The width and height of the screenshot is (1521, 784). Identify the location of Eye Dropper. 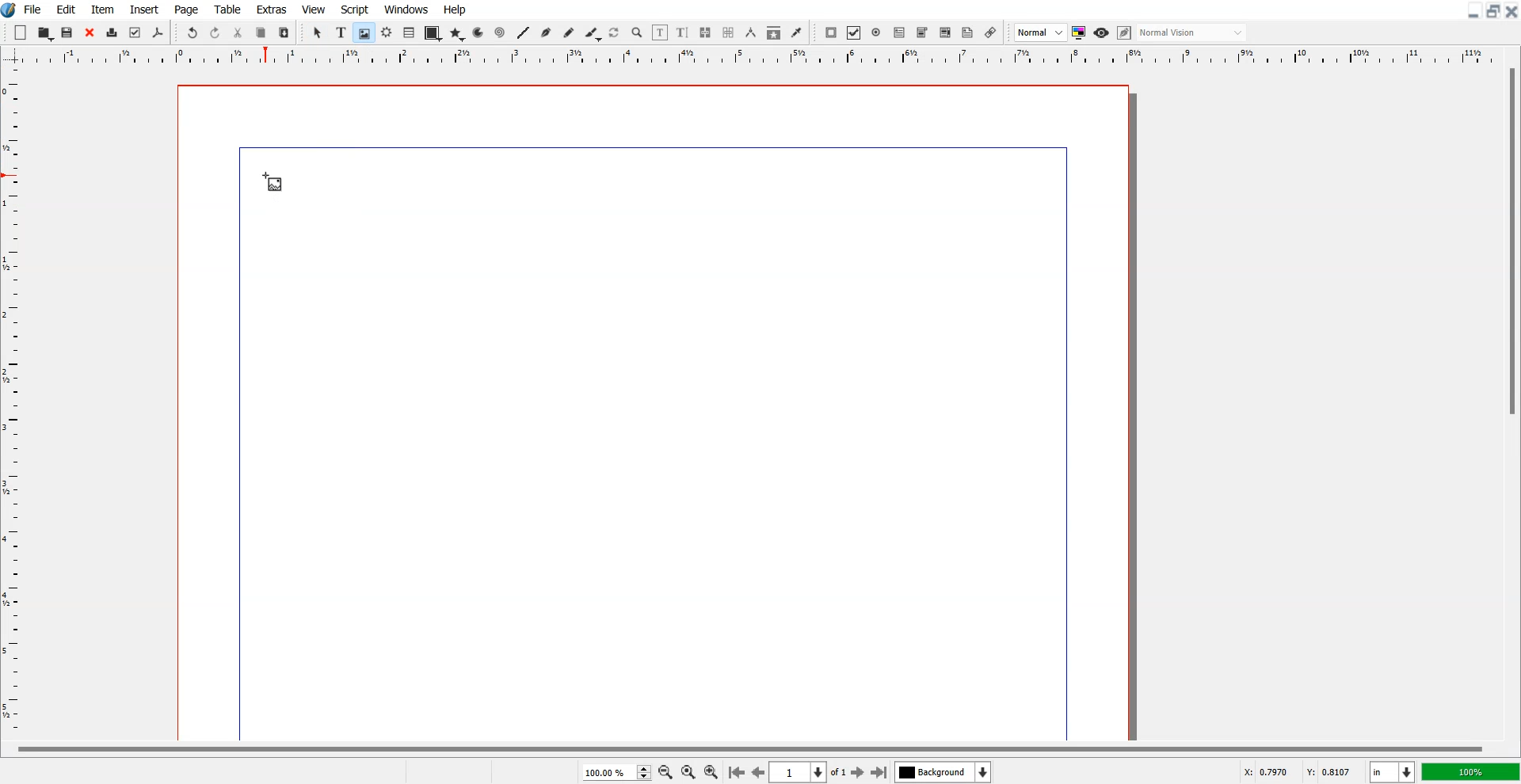
(796, 32).